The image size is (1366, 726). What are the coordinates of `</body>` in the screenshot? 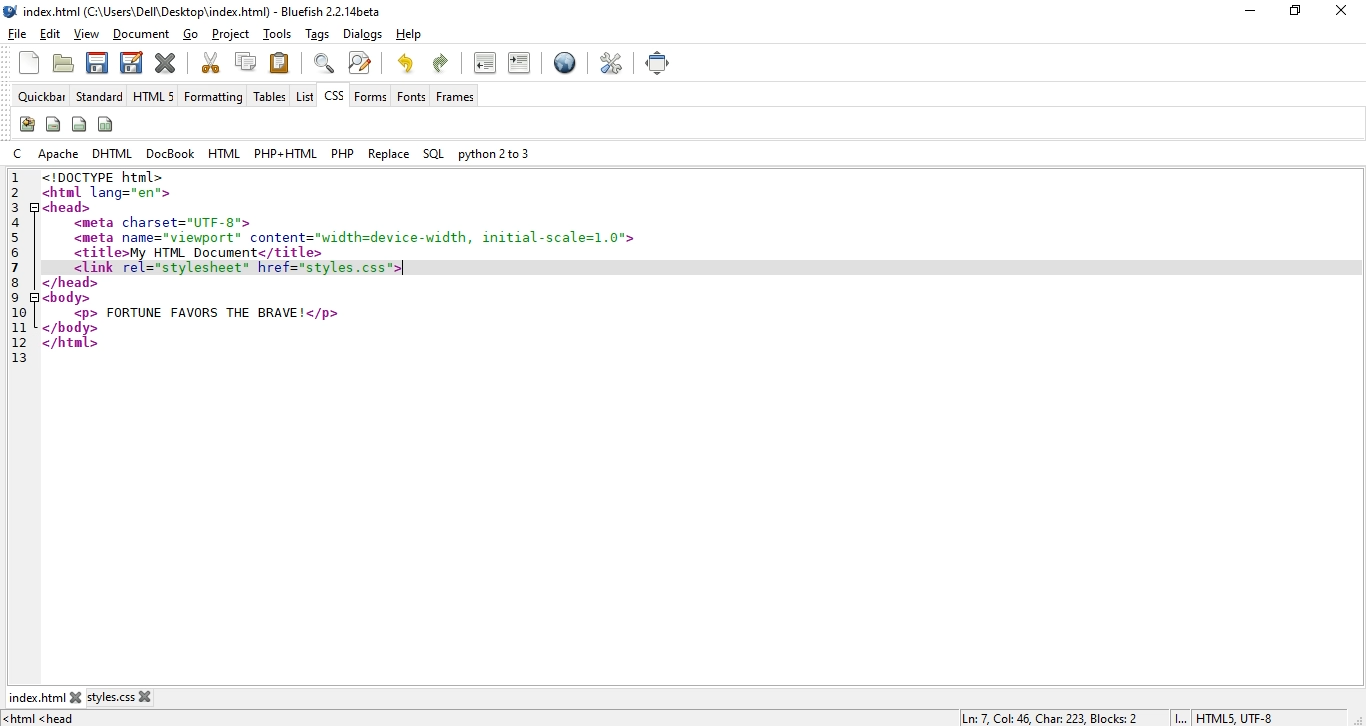 It's located at (71, 328).